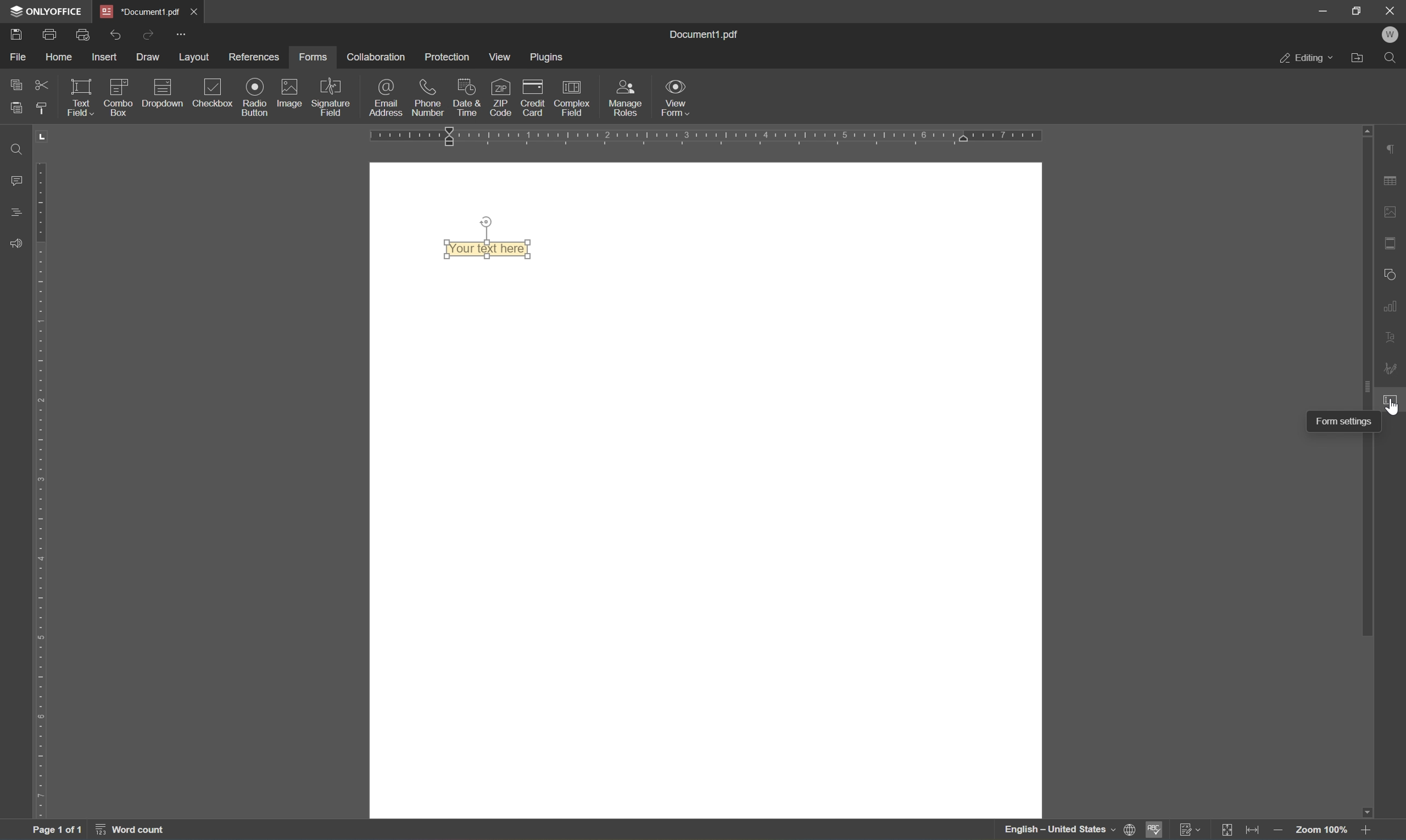 The width and height of the screenshot is (1406, 840). What do you see at coordinates (20, 58) in the screenshot?
I see `file` at bounding box center [20, 58].